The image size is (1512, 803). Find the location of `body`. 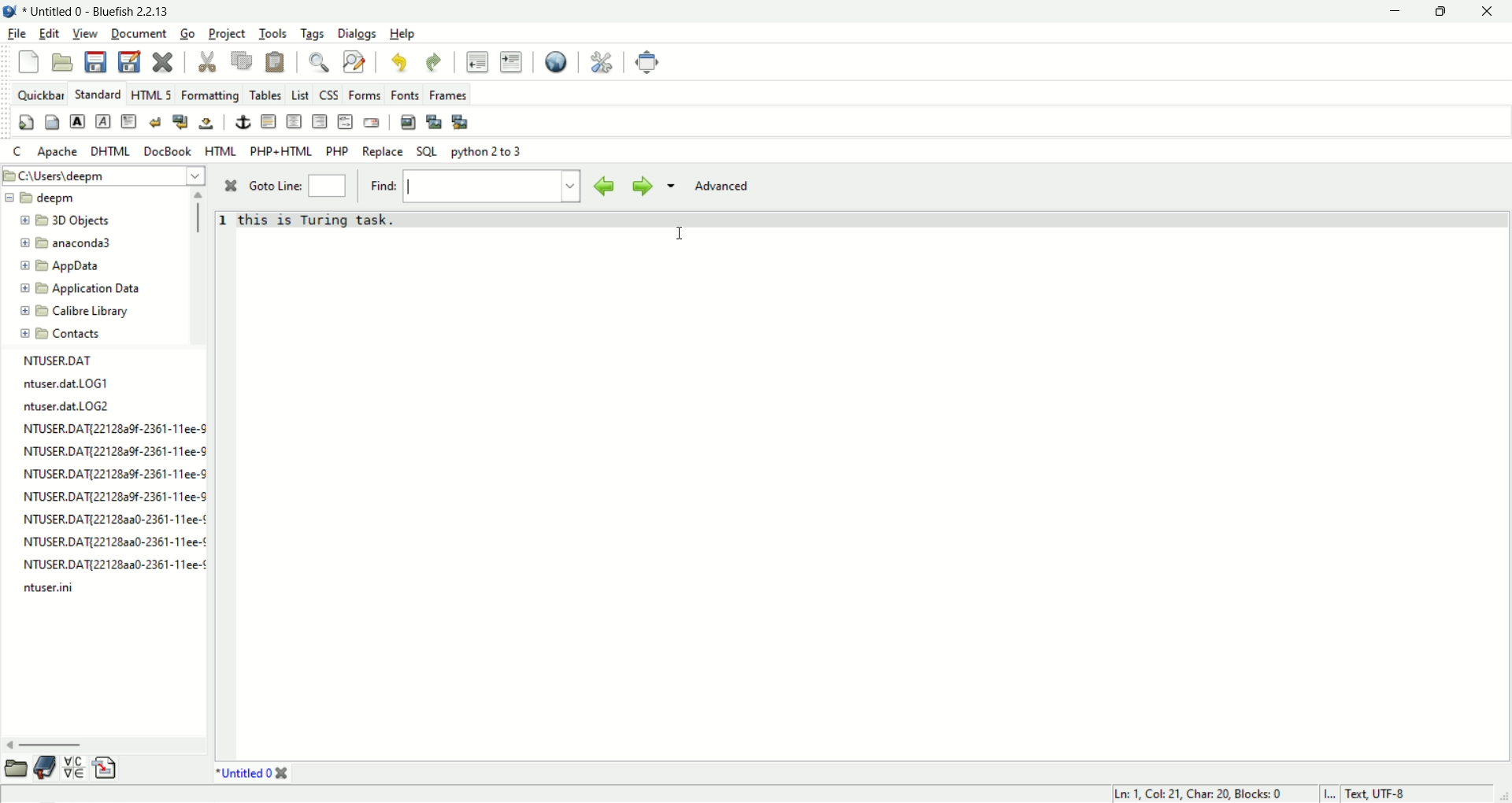

body is located at coordinates (53, 121).